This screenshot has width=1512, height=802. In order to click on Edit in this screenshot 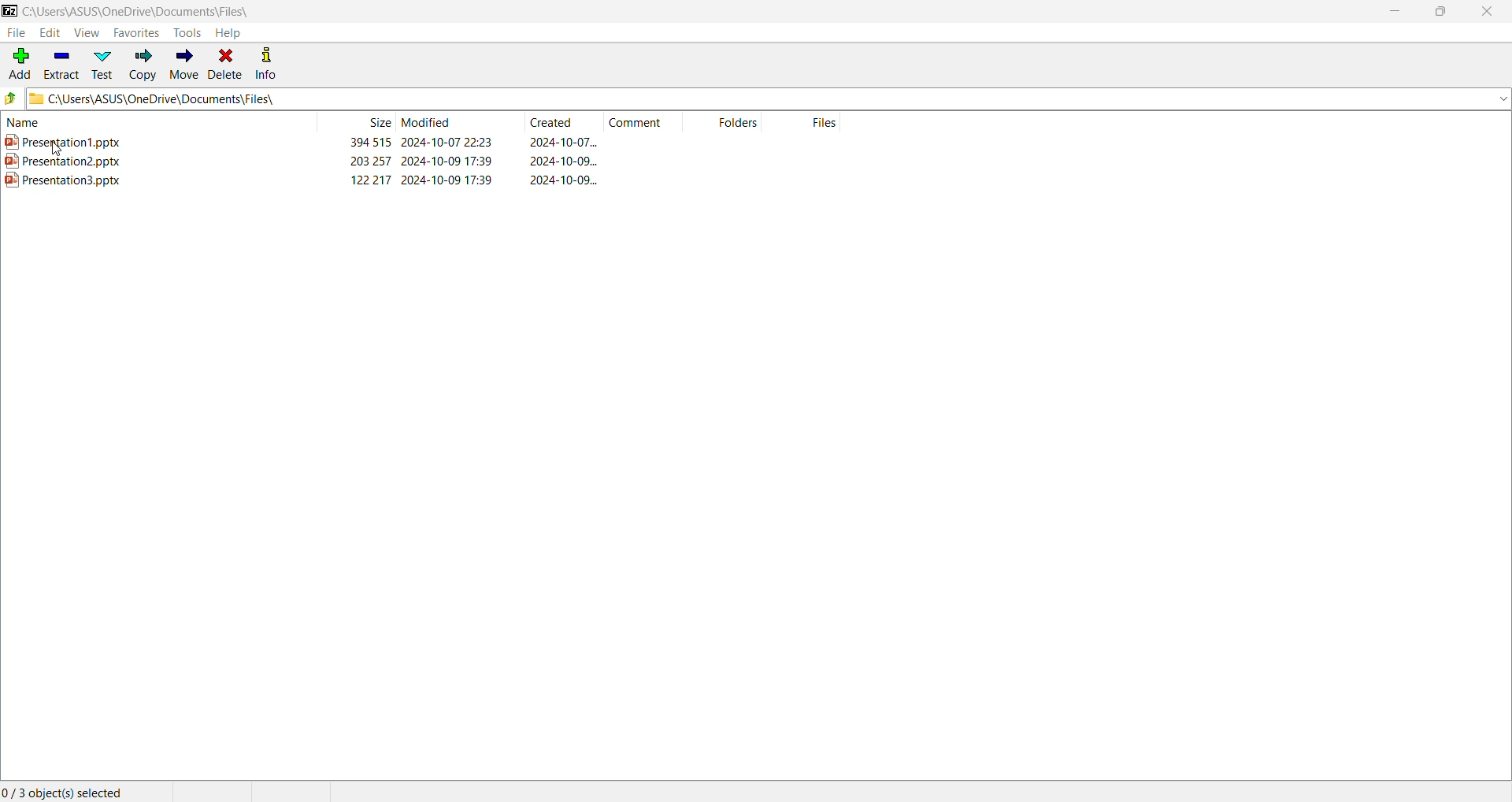, I will do `click(49, 33)`.